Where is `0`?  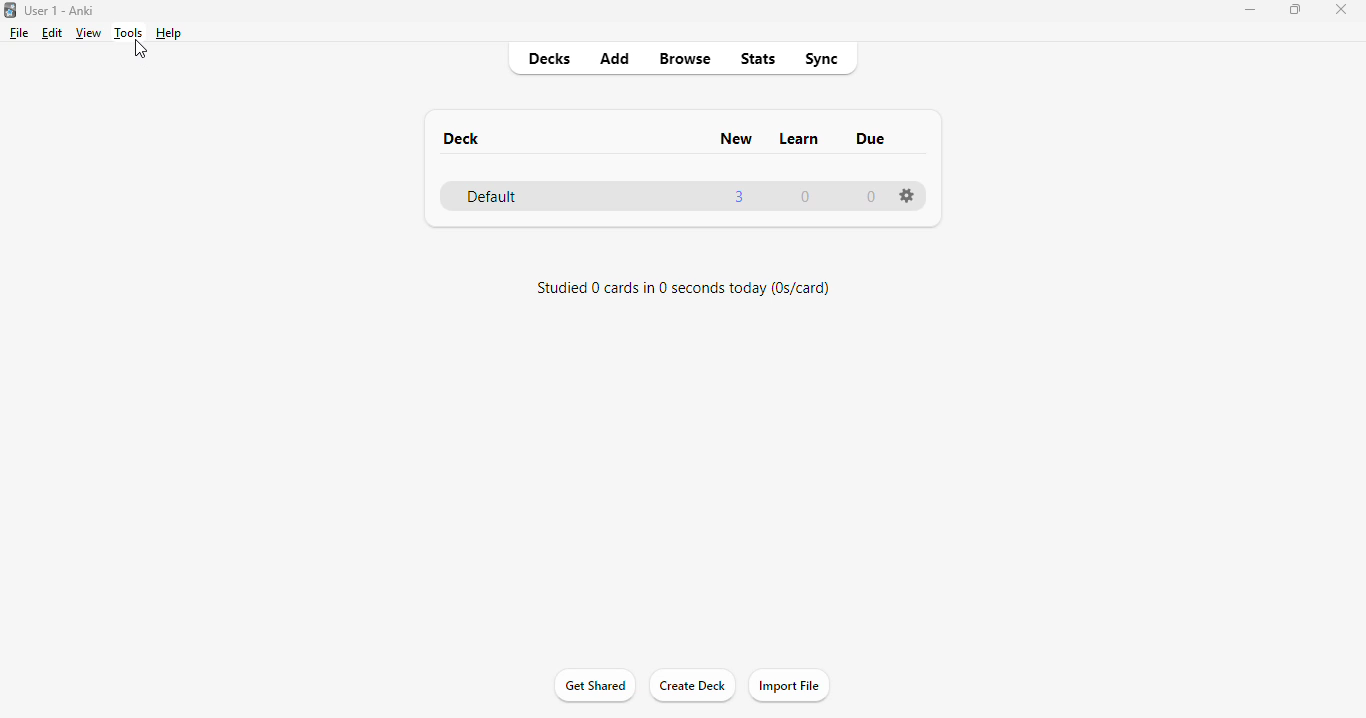
0 is located at coordinates (871, 197).